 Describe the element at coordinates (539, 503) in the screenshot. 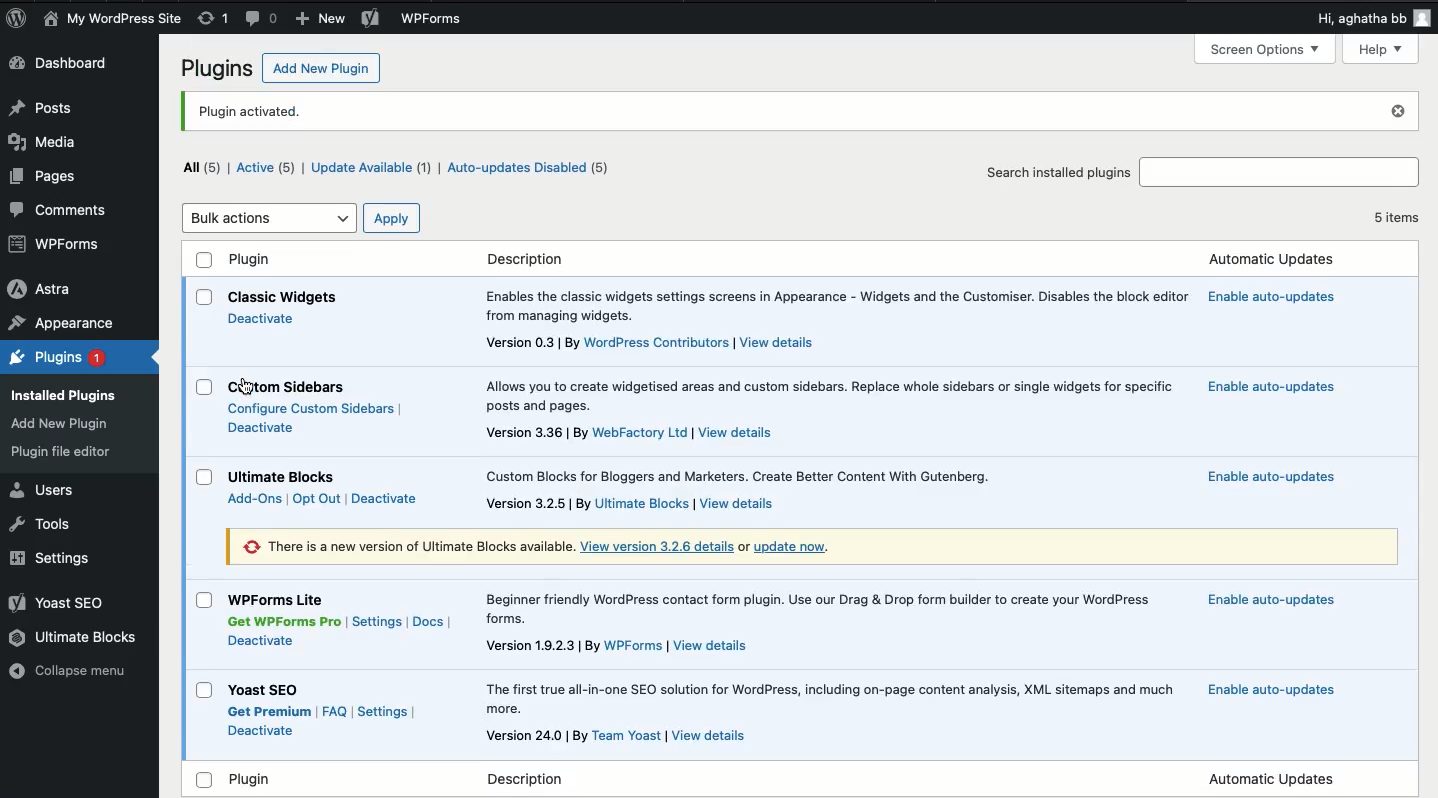

I see `version` at that location.